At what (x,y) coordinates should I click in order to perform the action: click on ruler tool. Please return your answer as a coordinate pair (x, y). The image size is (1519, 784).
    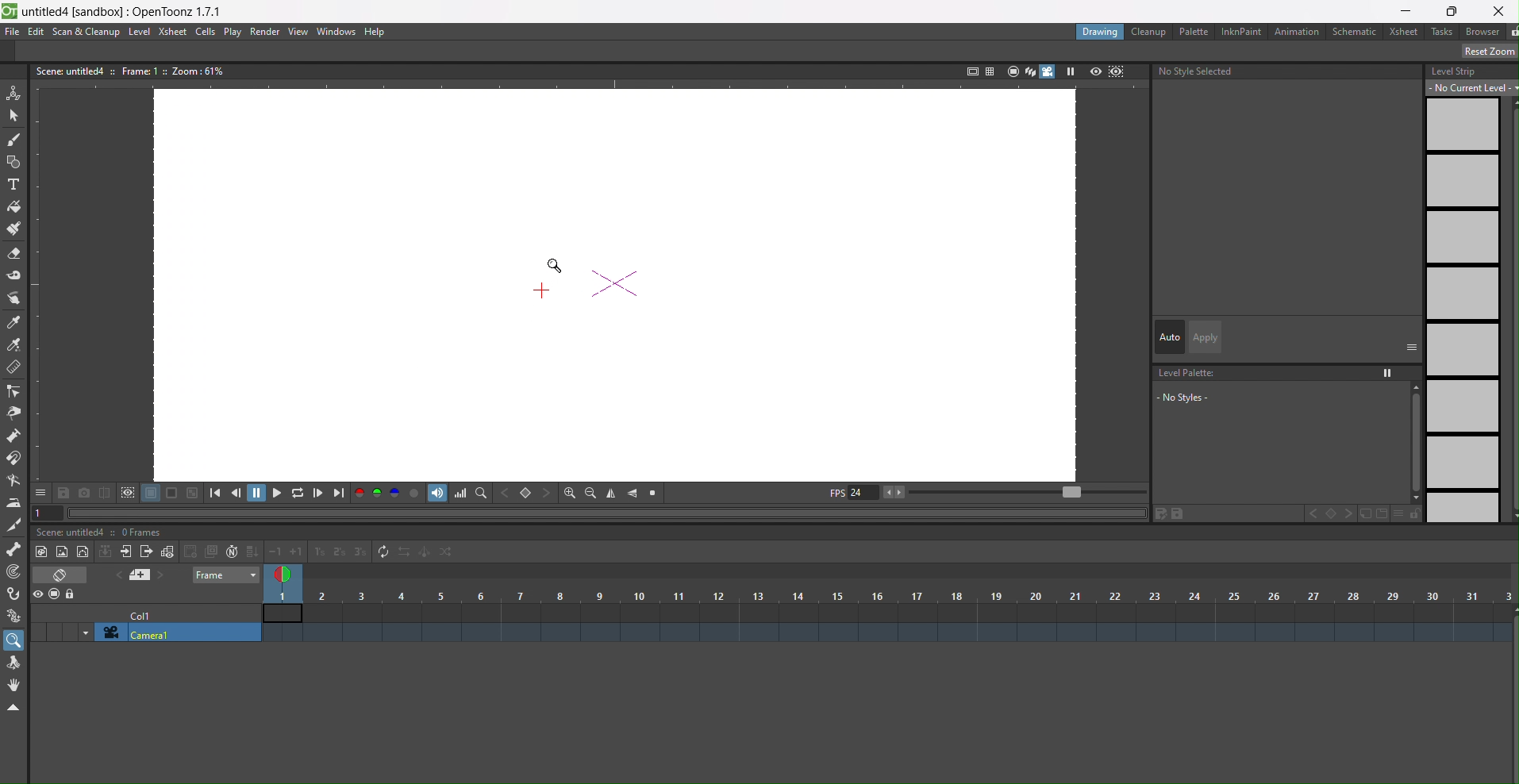
    Looking at the image, I should click on (14, 369).